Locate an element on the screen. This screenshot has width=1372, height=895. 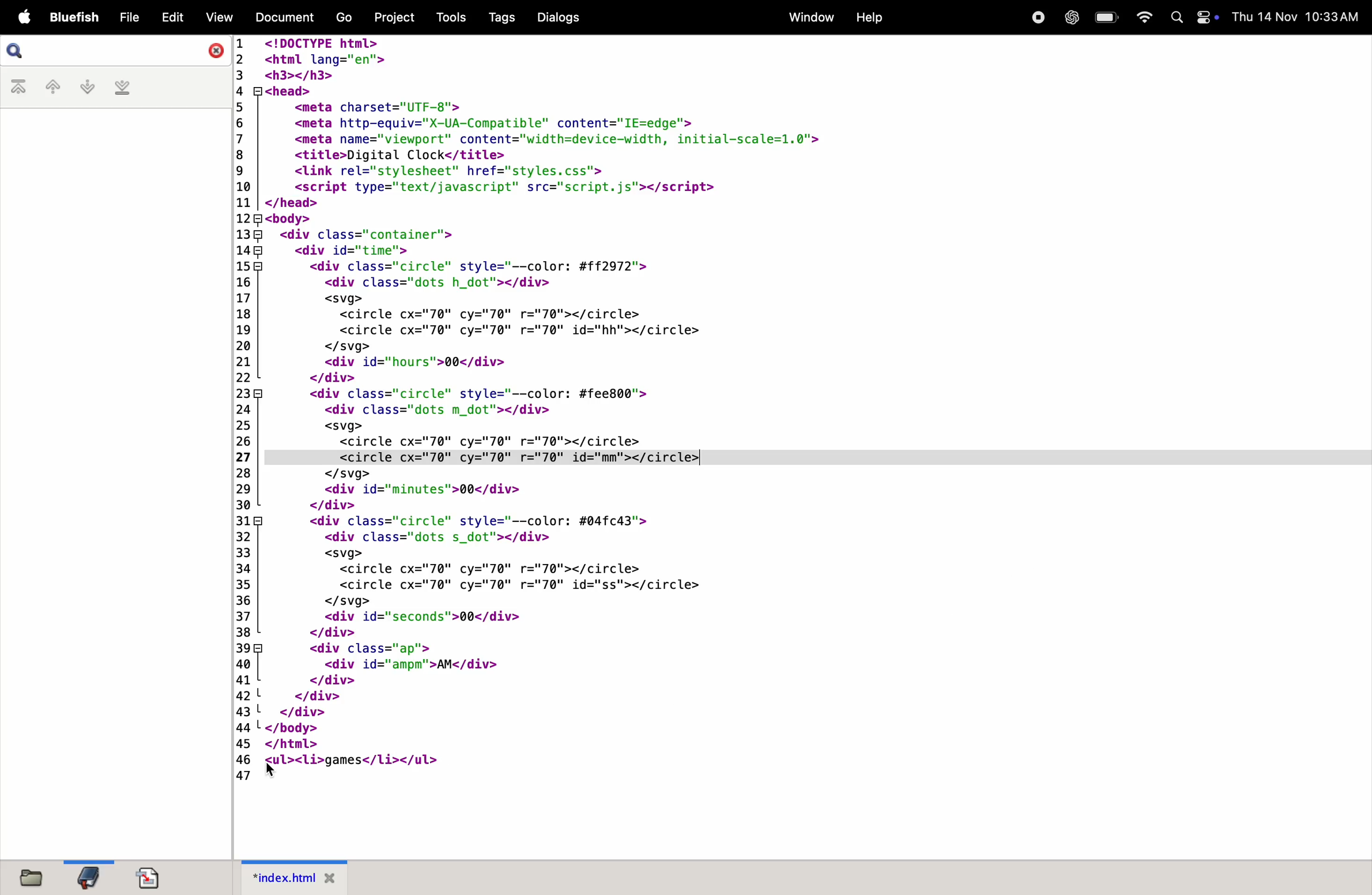
Go is located at coordinates (344, 17).